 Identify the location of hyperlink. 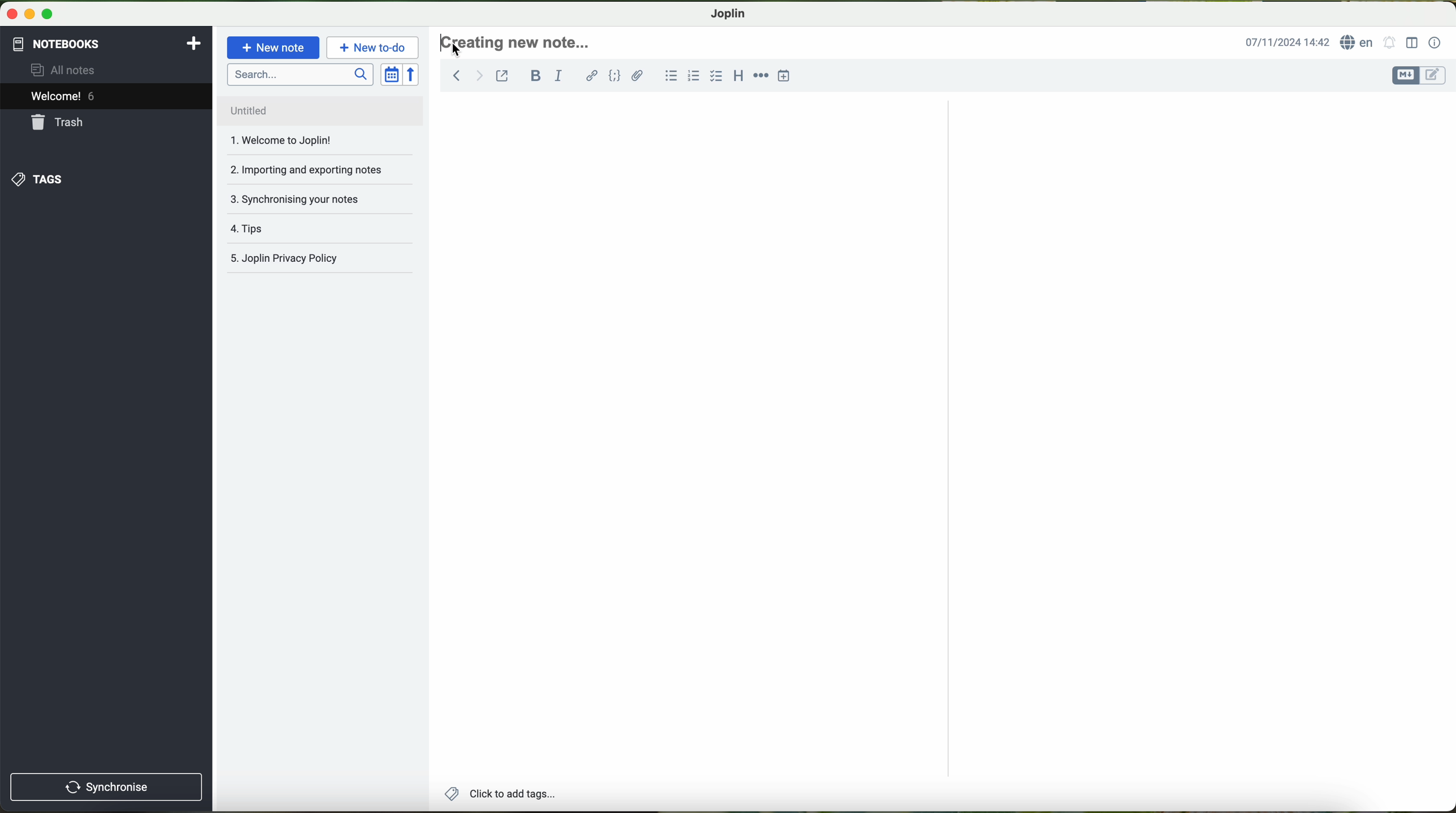
(591, 77).